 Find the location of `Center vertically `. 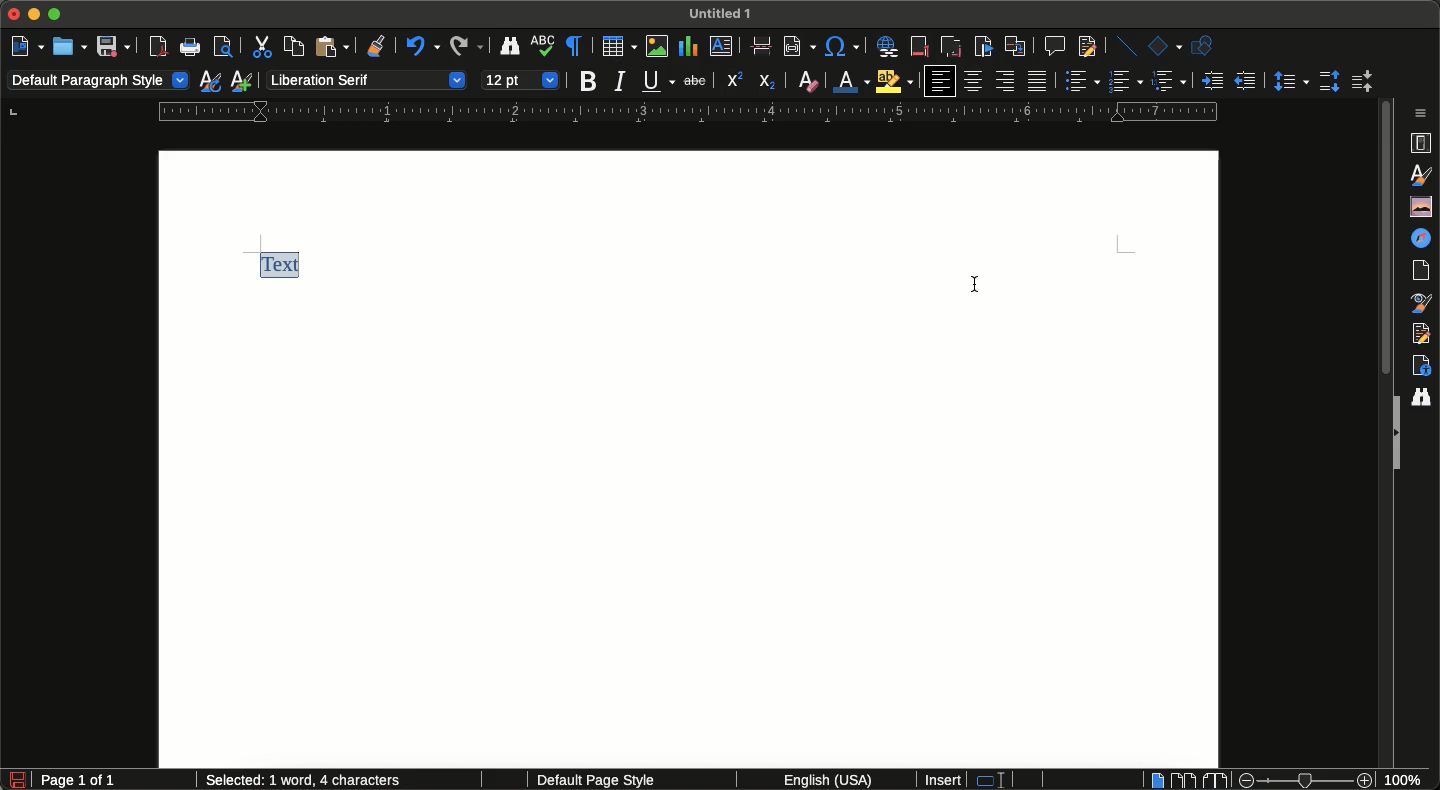

Center vertically  is located at coordinates (974, 81).